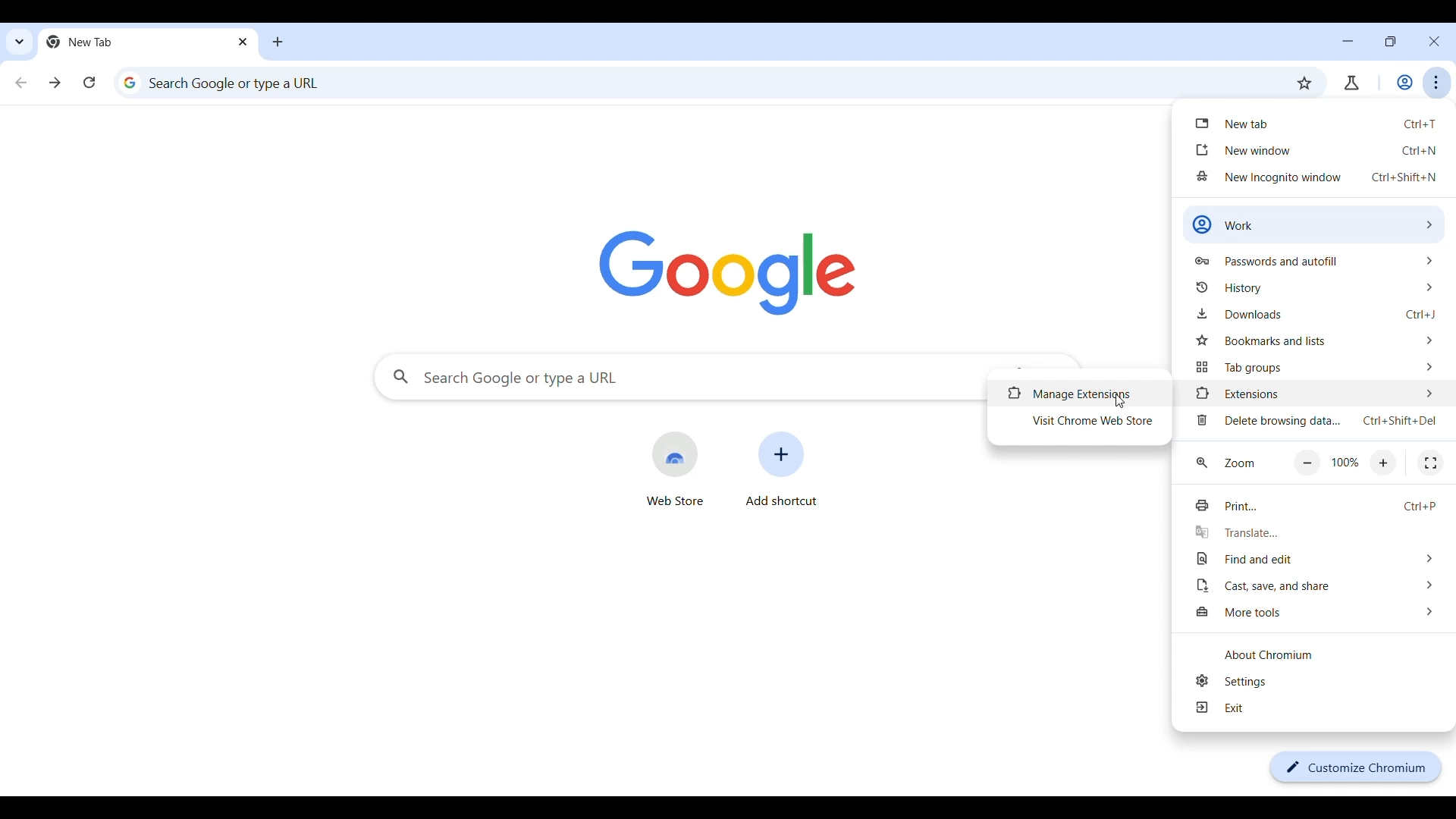 This screenshot has width=1456, height=819. Describe the element at coordinates (1321, 681) in the screenshot. I see `Settings` at that location.